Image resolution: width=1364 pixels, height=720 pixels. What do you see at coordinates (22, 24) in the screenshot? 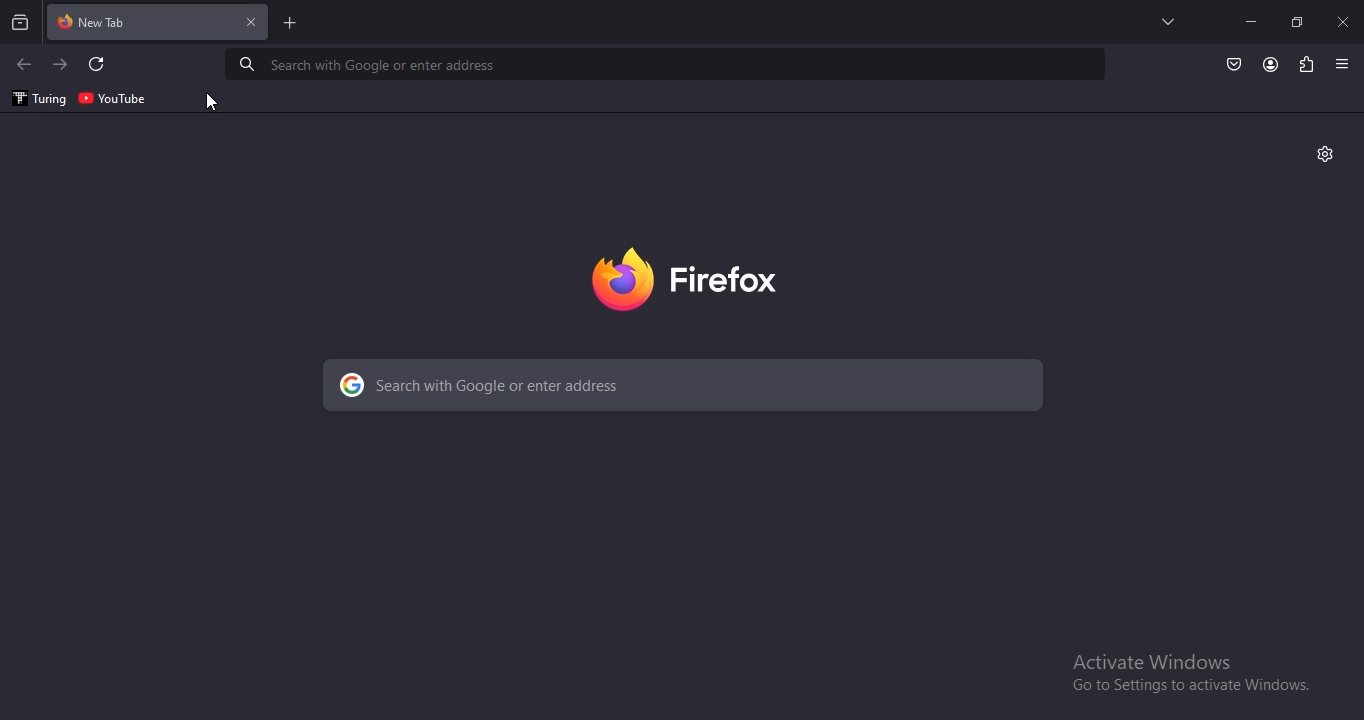
I see `search all recent and current tabs` at bounding box center [22, 24].